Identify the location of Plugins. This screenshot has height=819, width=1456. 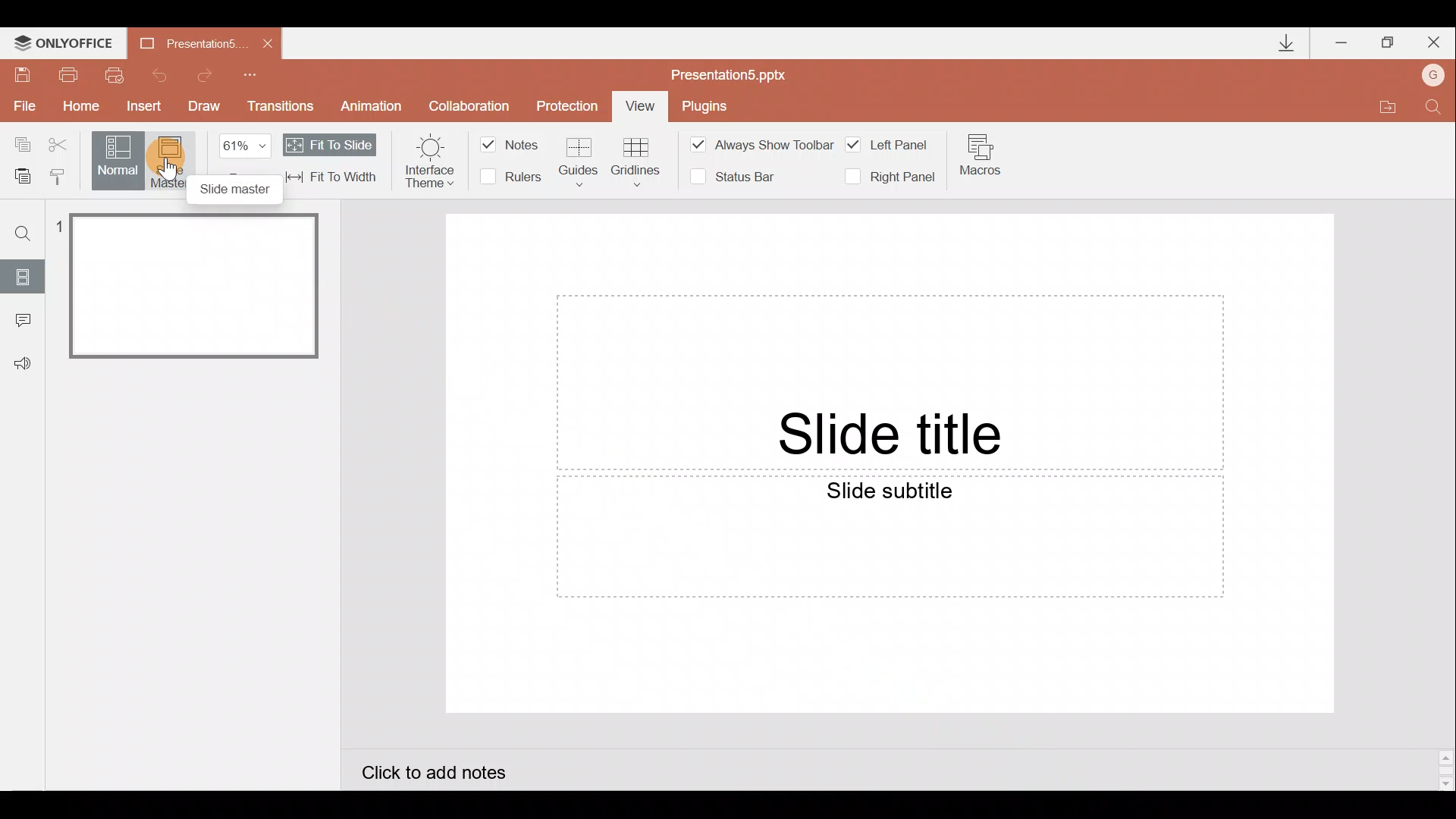
(707, 104).